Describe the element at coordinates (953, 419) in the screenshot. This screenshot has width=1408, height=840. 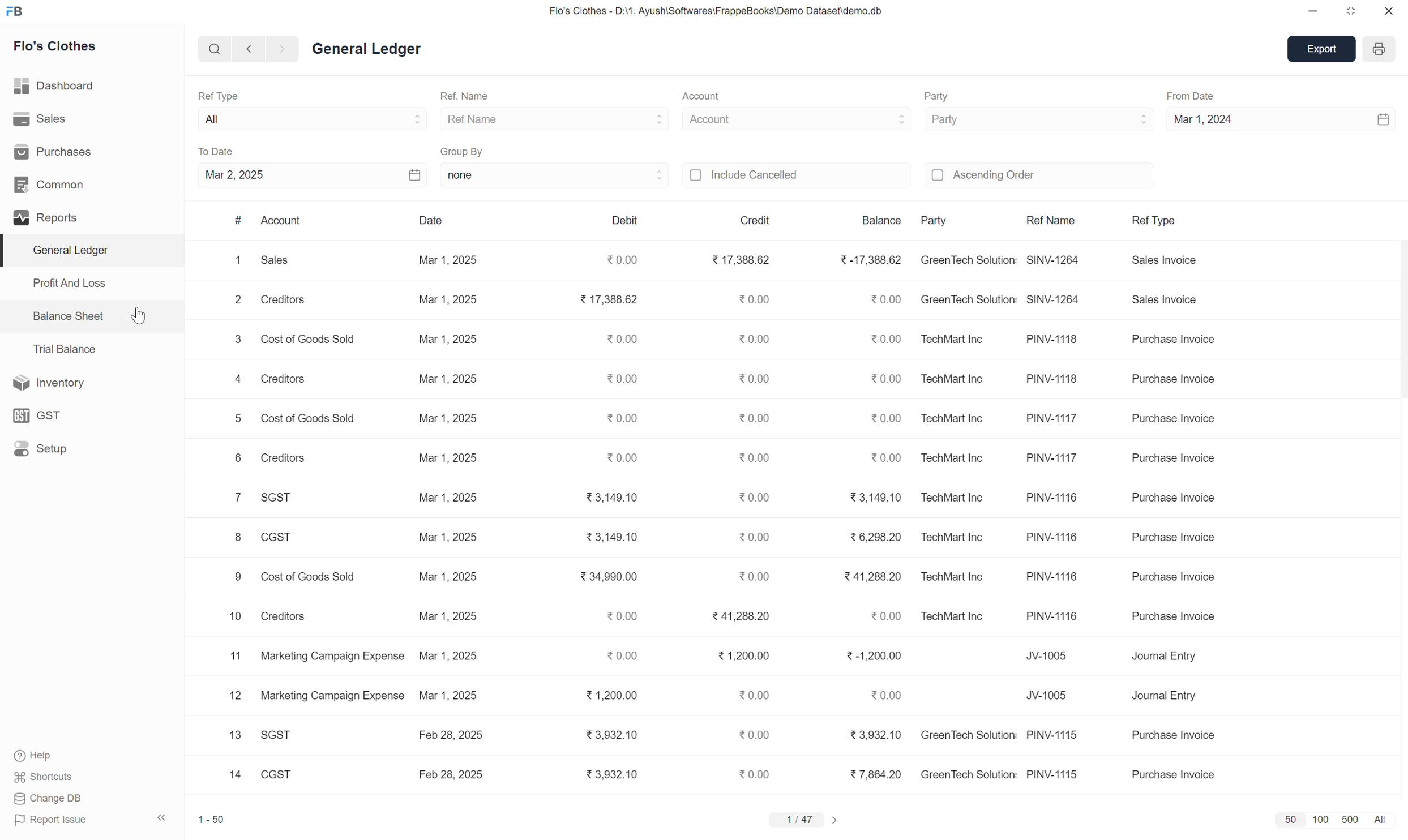
I see `TechMart Inc` at that location.